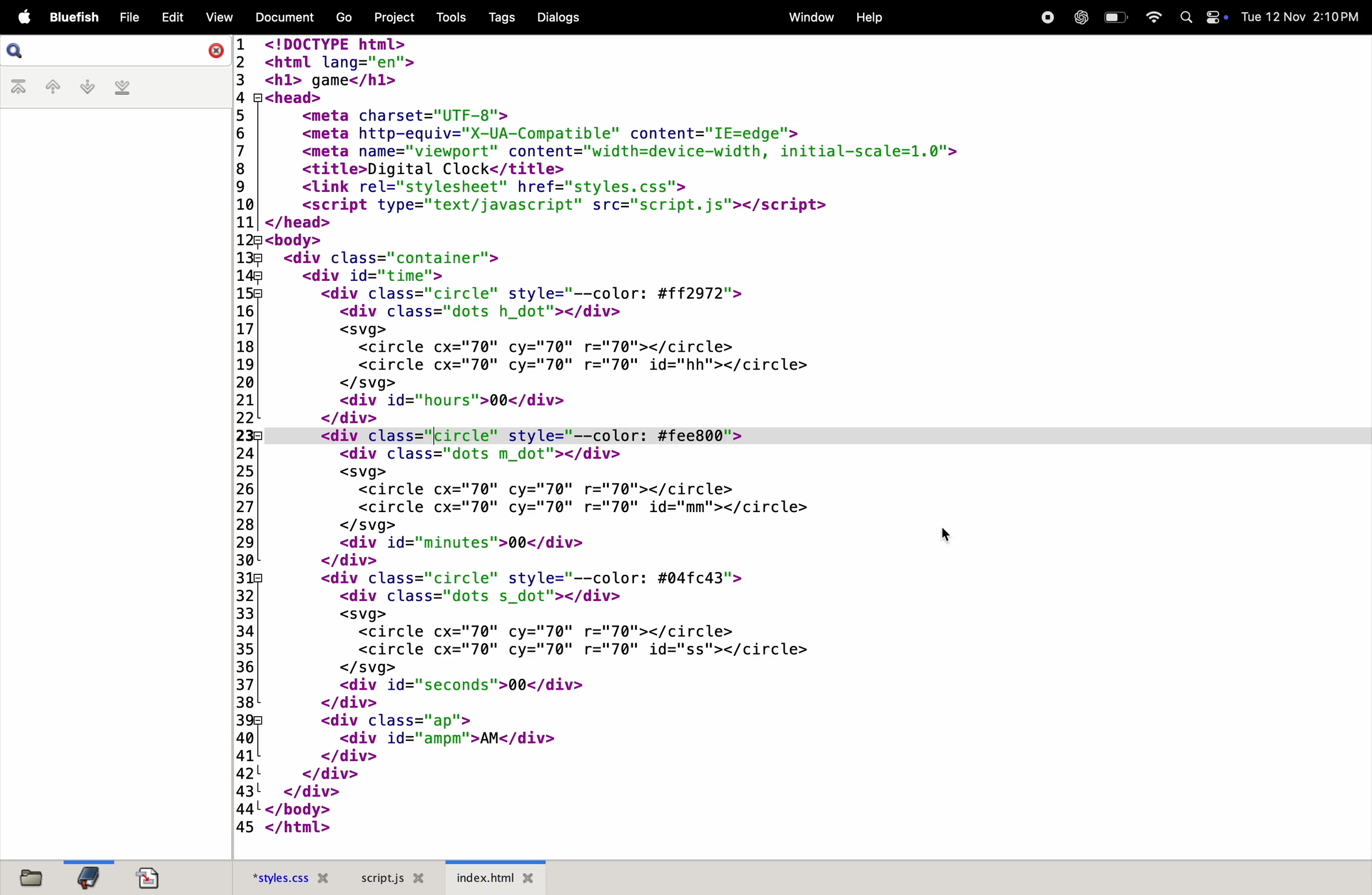  Describe the element at coordinates (128, 17) in the screenshot. I see `file` at that location.